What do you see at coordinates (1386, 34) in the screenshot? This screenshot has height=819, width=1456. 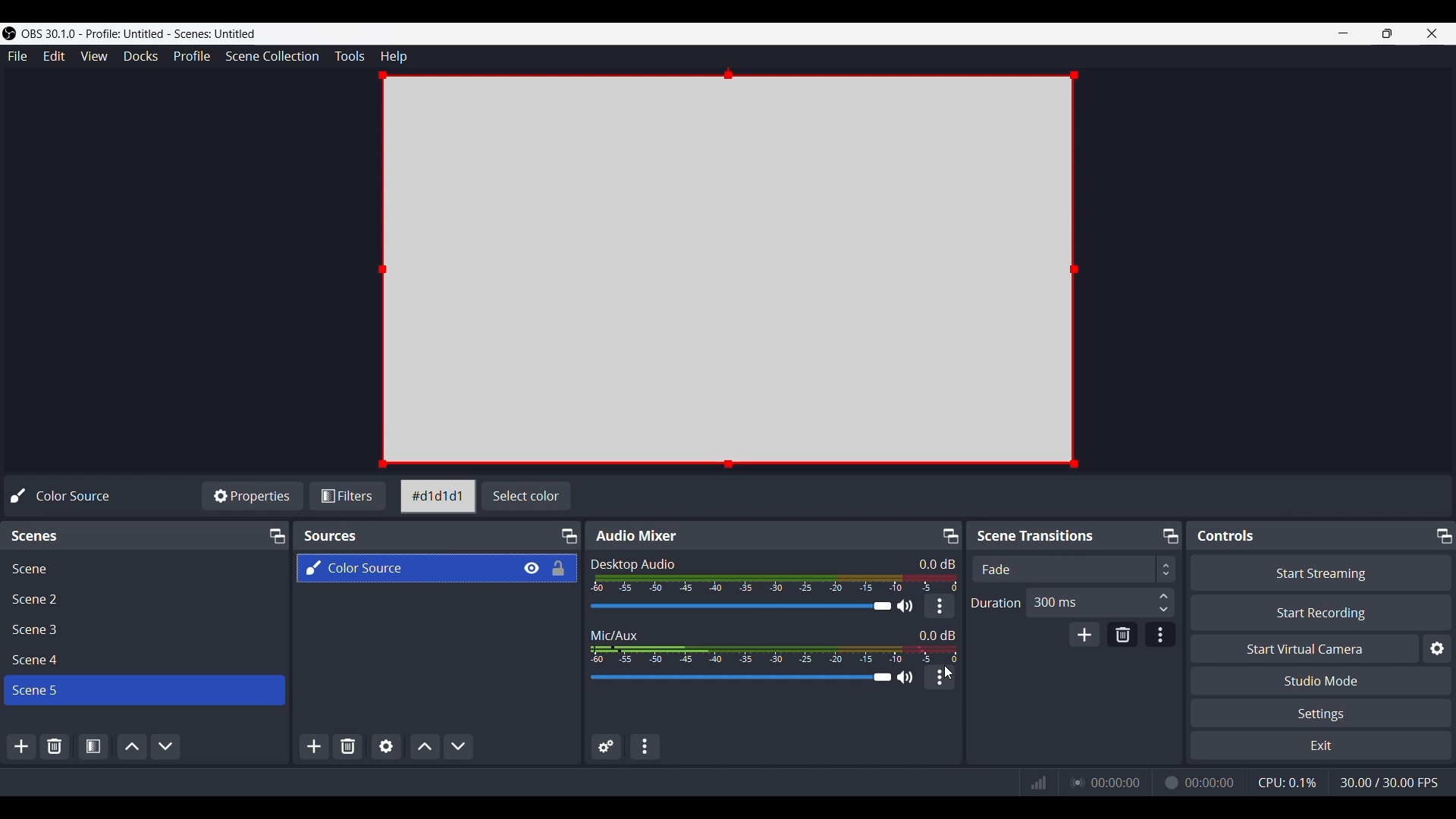 I see `Maximize` at bounding box center [1386, 34].